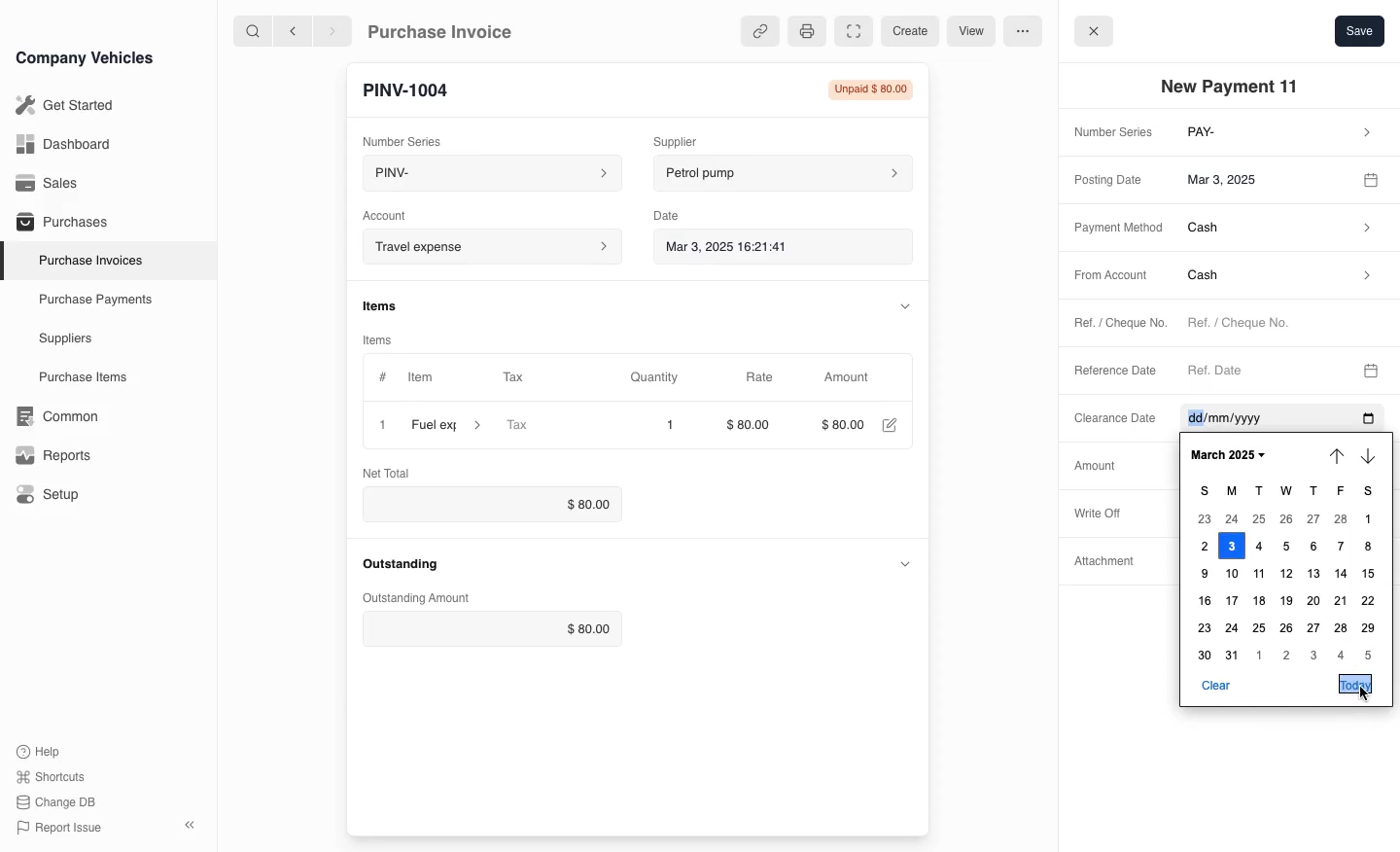 The width and height of the screenshot is (1400, 852). I want to click on Account, so click(397, 213).